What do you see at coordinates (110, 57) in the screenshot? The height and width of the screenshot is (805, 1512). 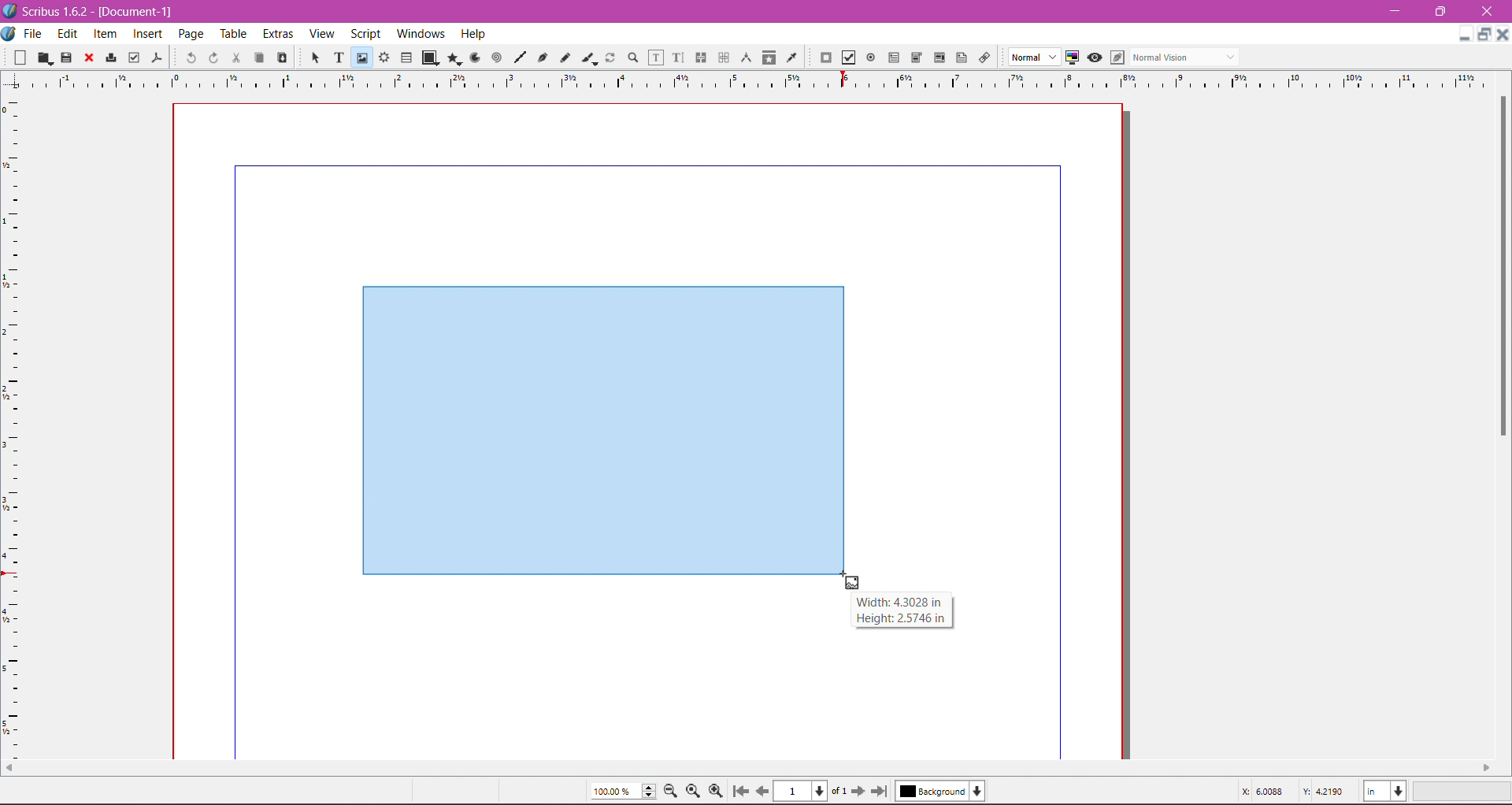 I see `Print` at bounding box center [110, 57].